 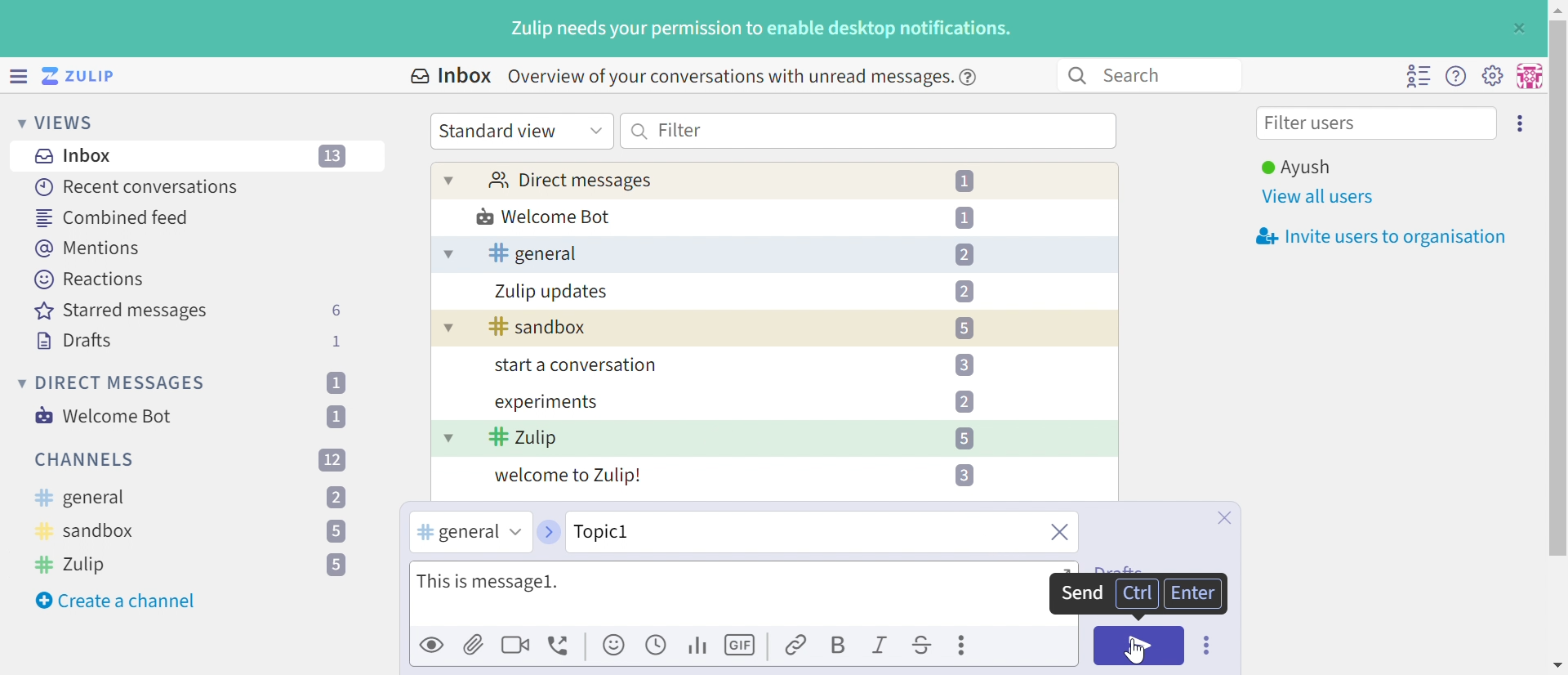 What do you see at coordinates (572, 367) in the screenshot?
I see `start a conversation` at bounding box center [572, 367].